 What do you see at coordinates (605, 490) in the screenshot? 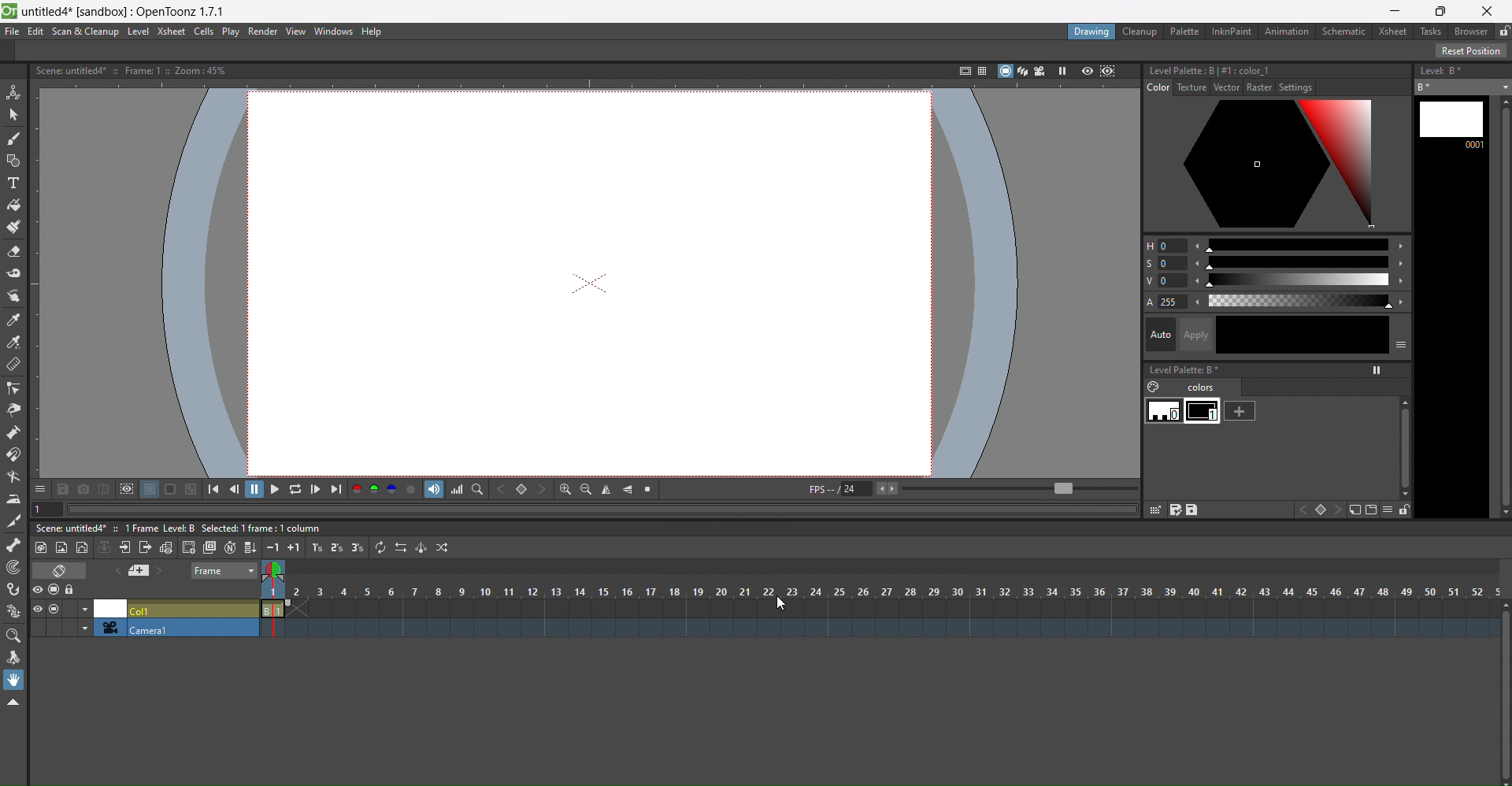
I see `` at bounding box center [605, 490].